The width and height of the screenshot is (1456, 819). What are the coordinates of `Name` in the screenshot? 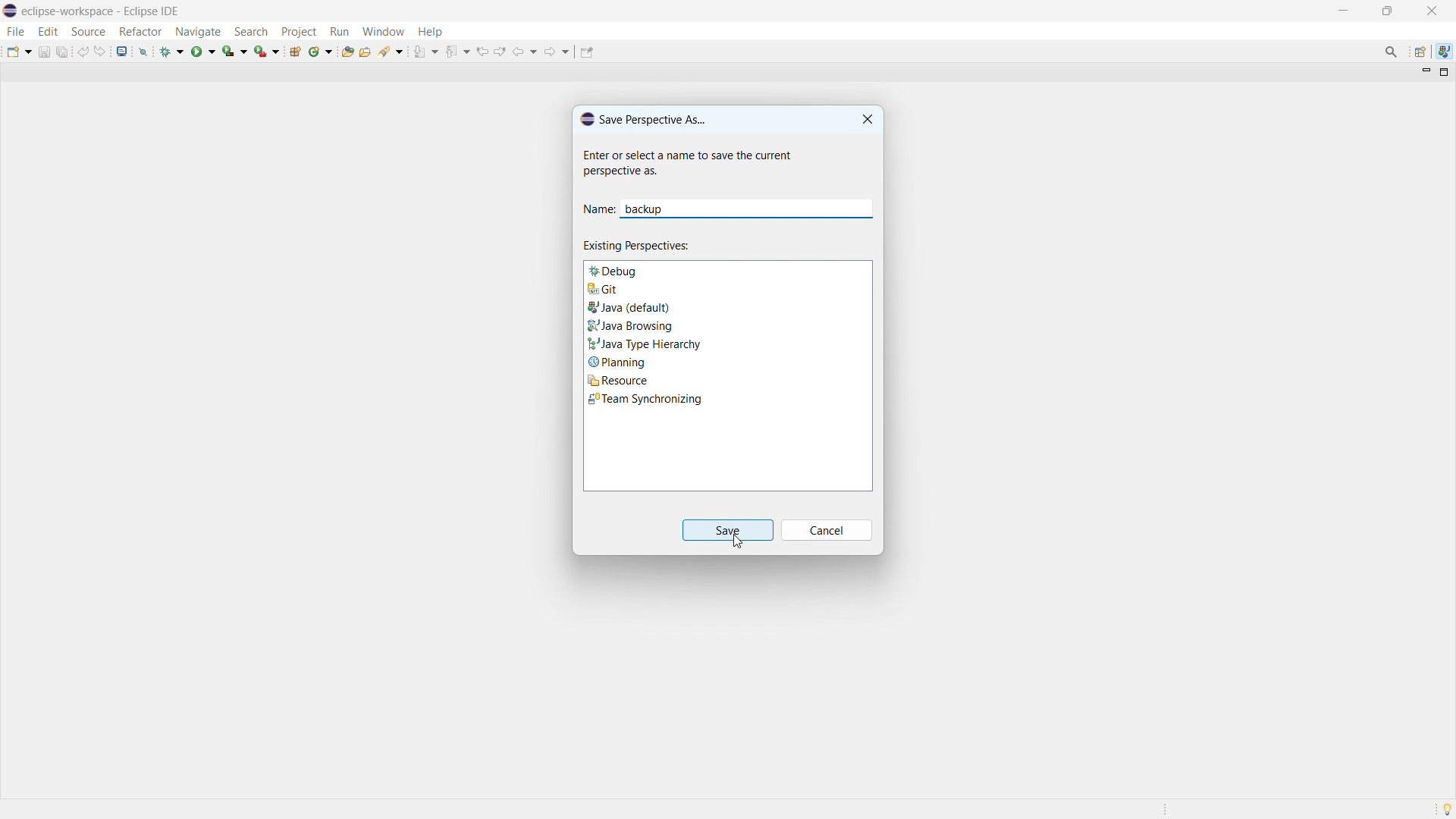 It's located at (598, 211).